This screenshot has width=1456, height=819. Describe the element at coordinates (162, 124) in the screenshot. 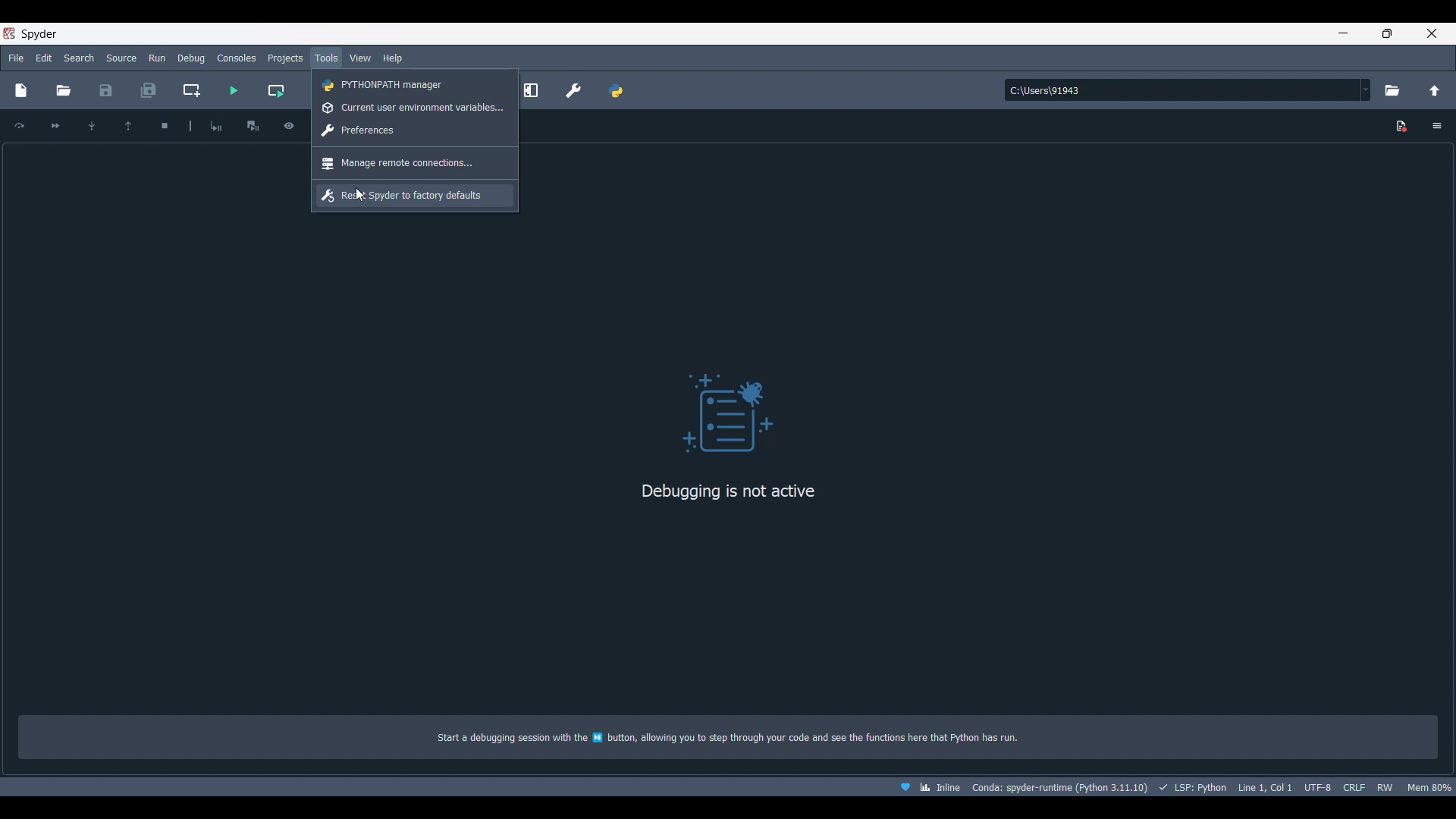

I see `stop` at that location.